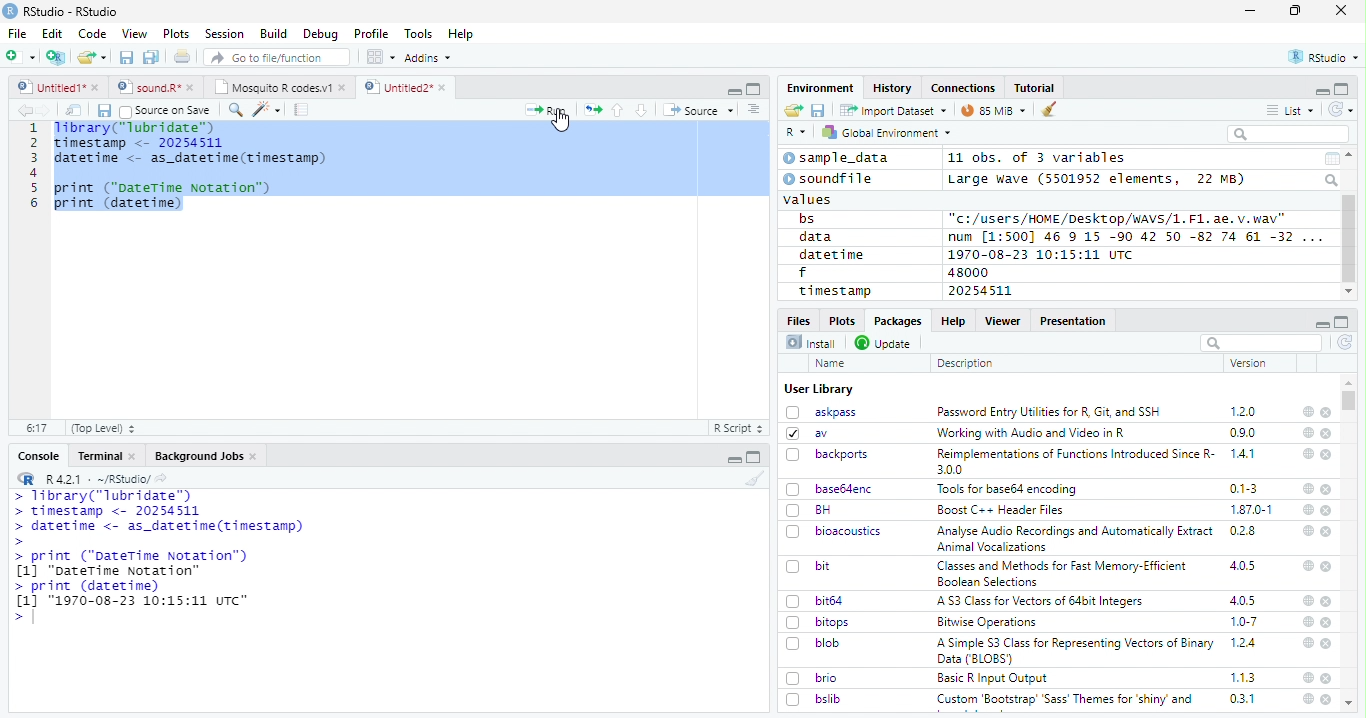  Describe the element at coordinates (812, 678) in the screenshot. I see `brio` at that location.